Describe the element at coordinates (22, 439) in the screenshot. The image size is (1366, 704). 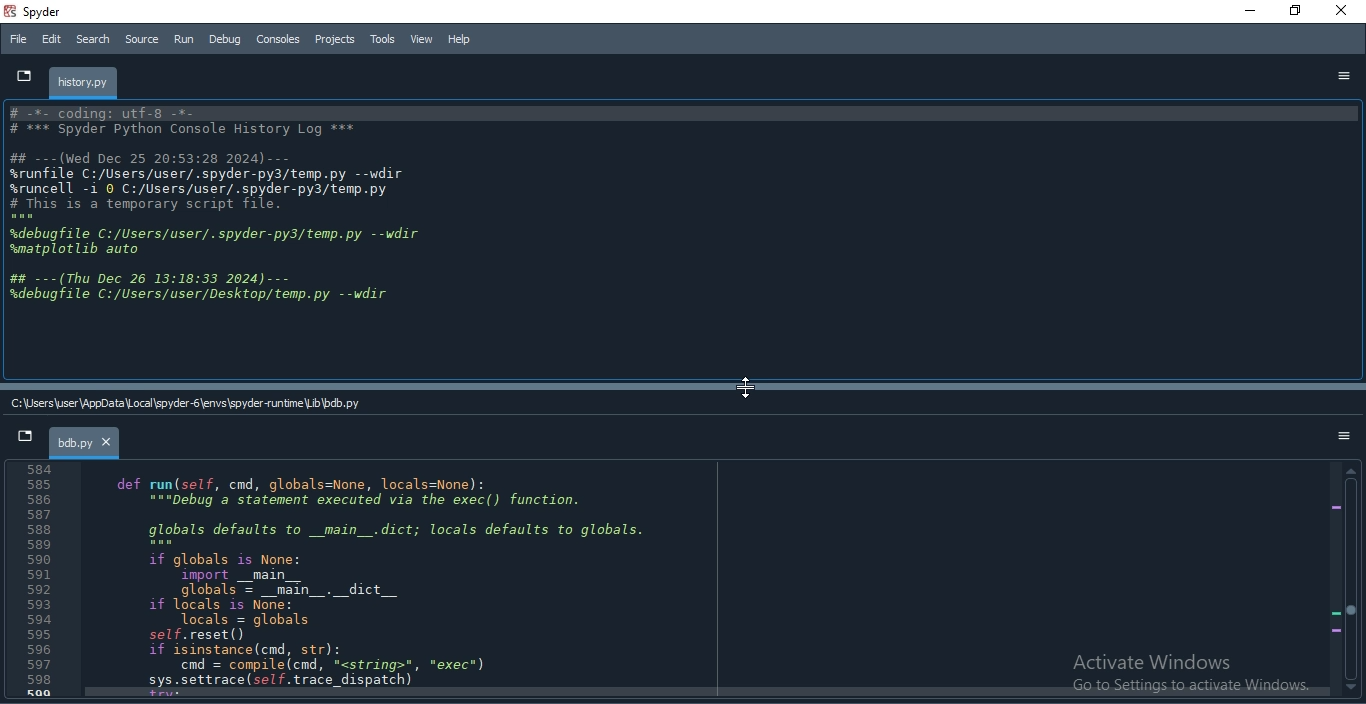
I see `dropdown` at that location.